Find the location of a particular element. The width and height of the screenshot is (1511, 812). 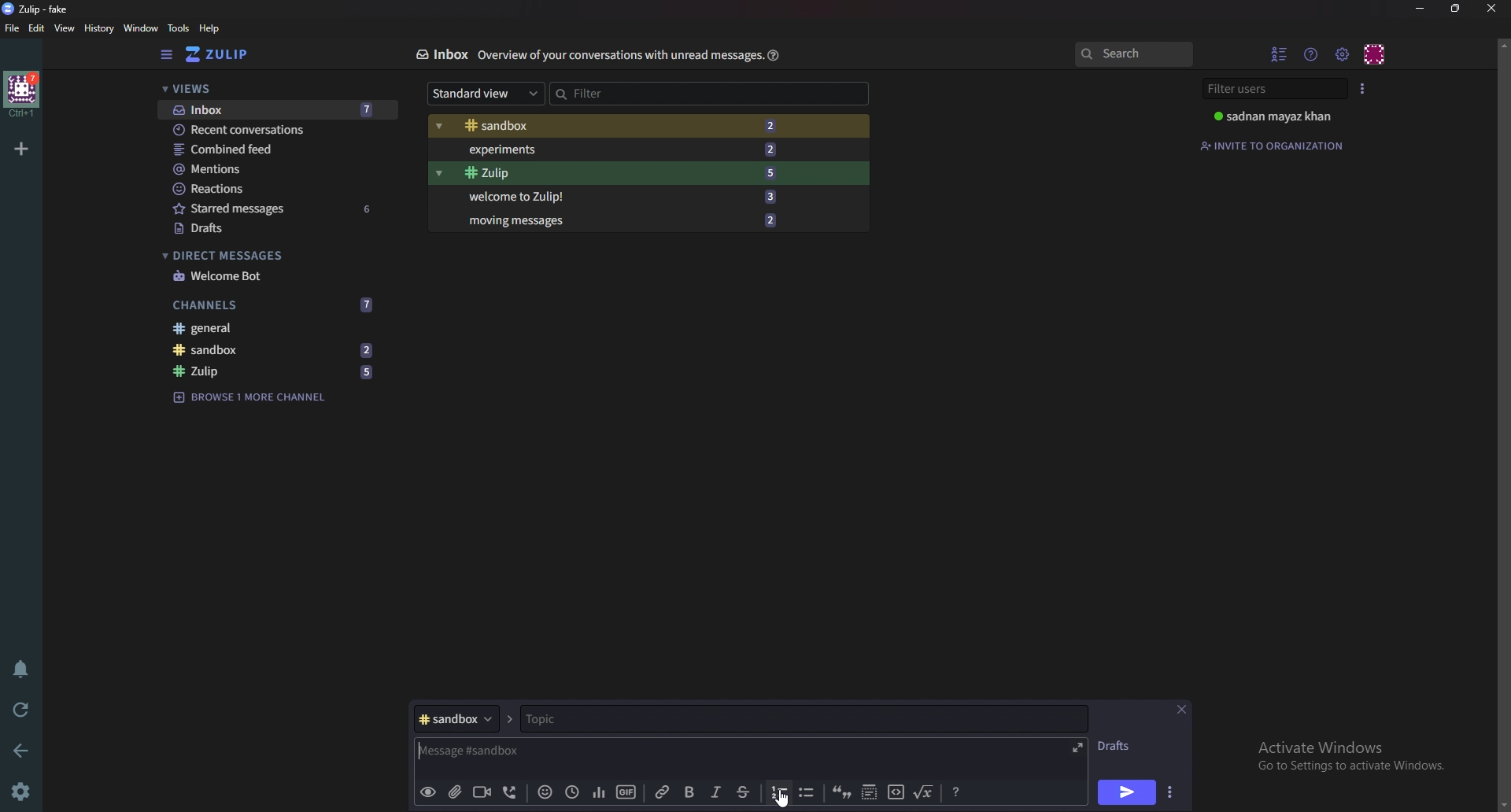

sandbox is located at coordinates (278, 350).